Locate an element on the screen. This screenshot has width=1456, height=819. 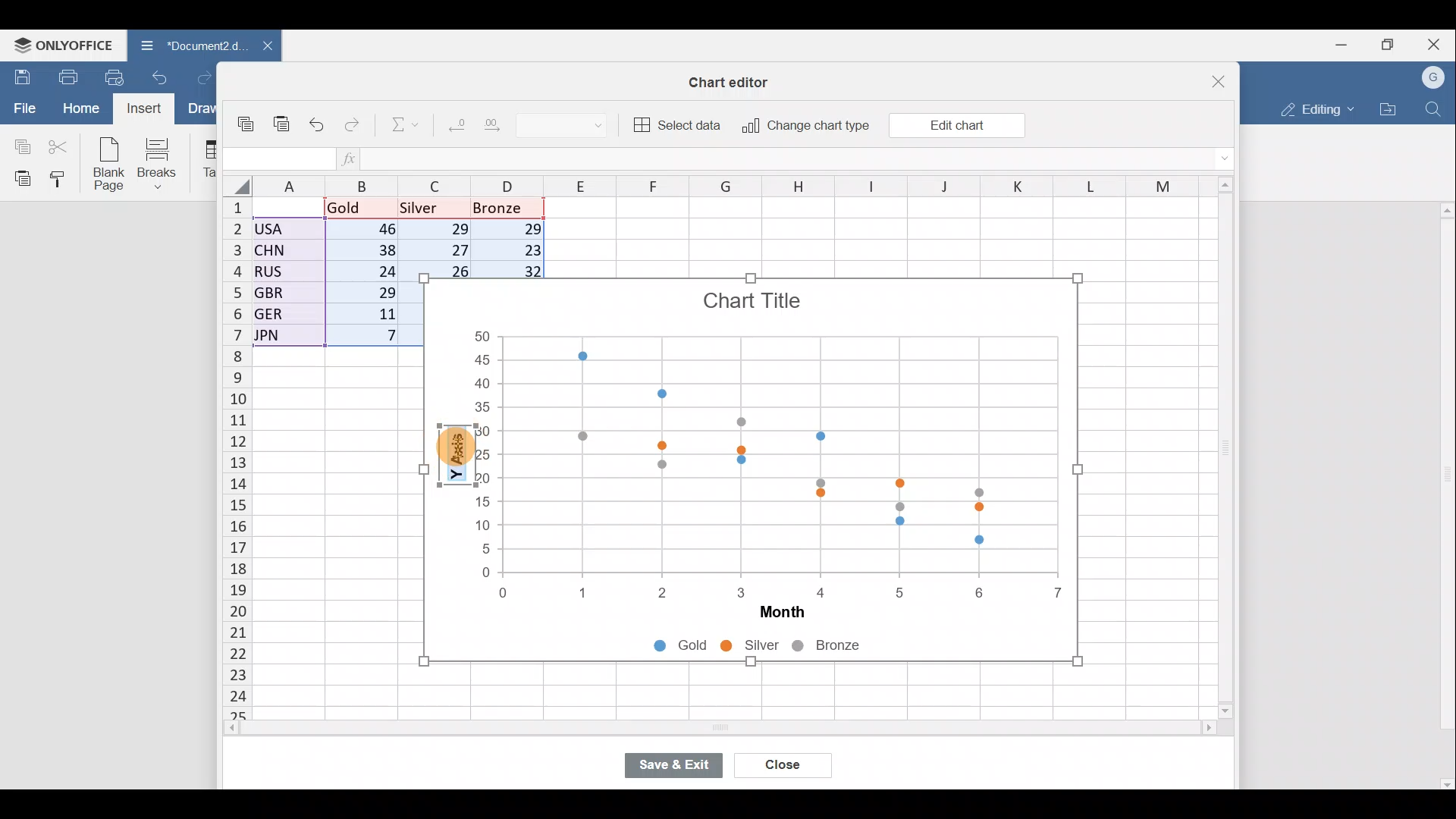
Edit chart is located at coordinates (955, 124).